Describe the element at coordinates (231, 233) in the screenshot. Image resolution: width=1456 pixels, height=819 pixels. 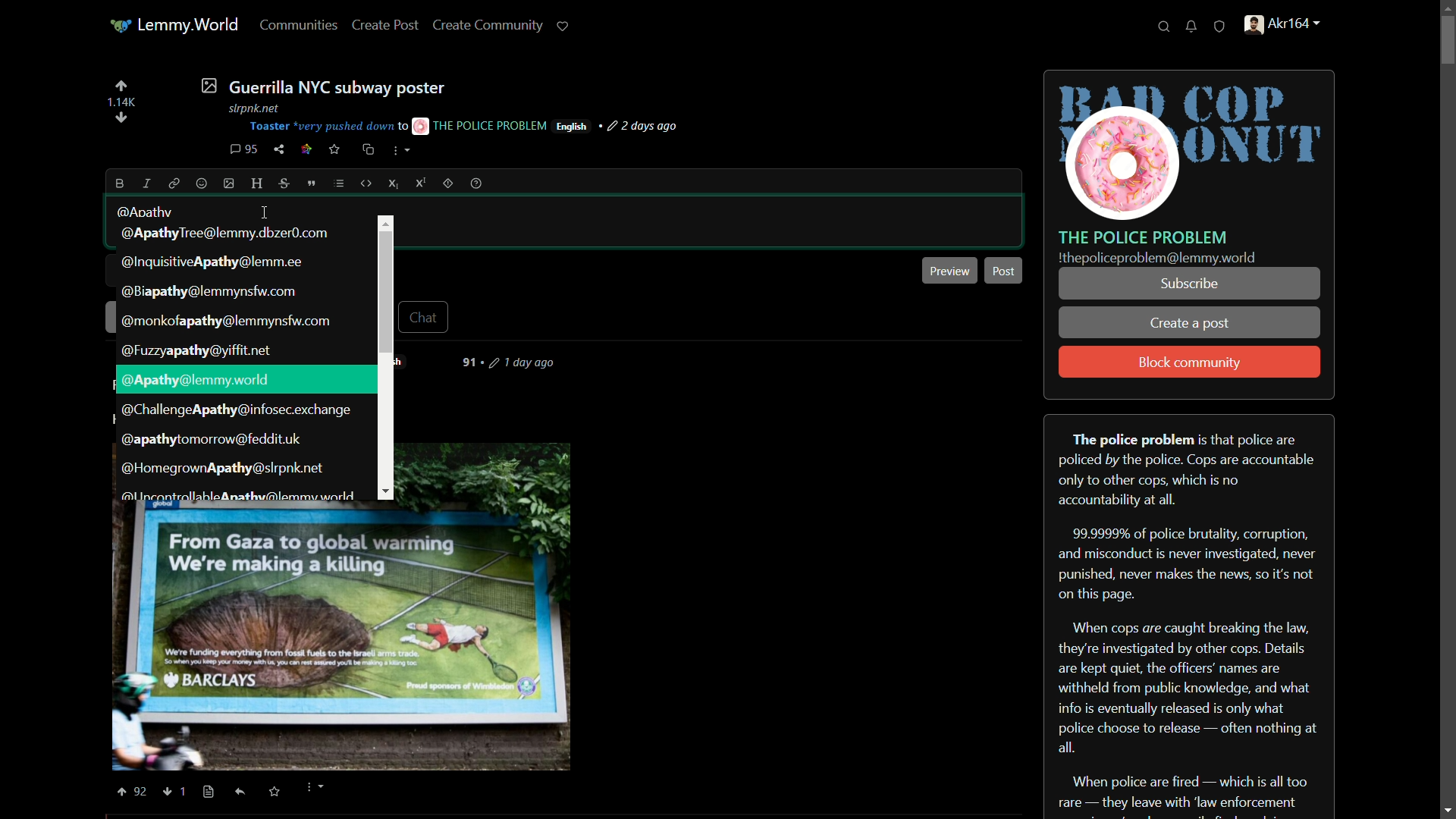
I see `suggestion-1` at that location.